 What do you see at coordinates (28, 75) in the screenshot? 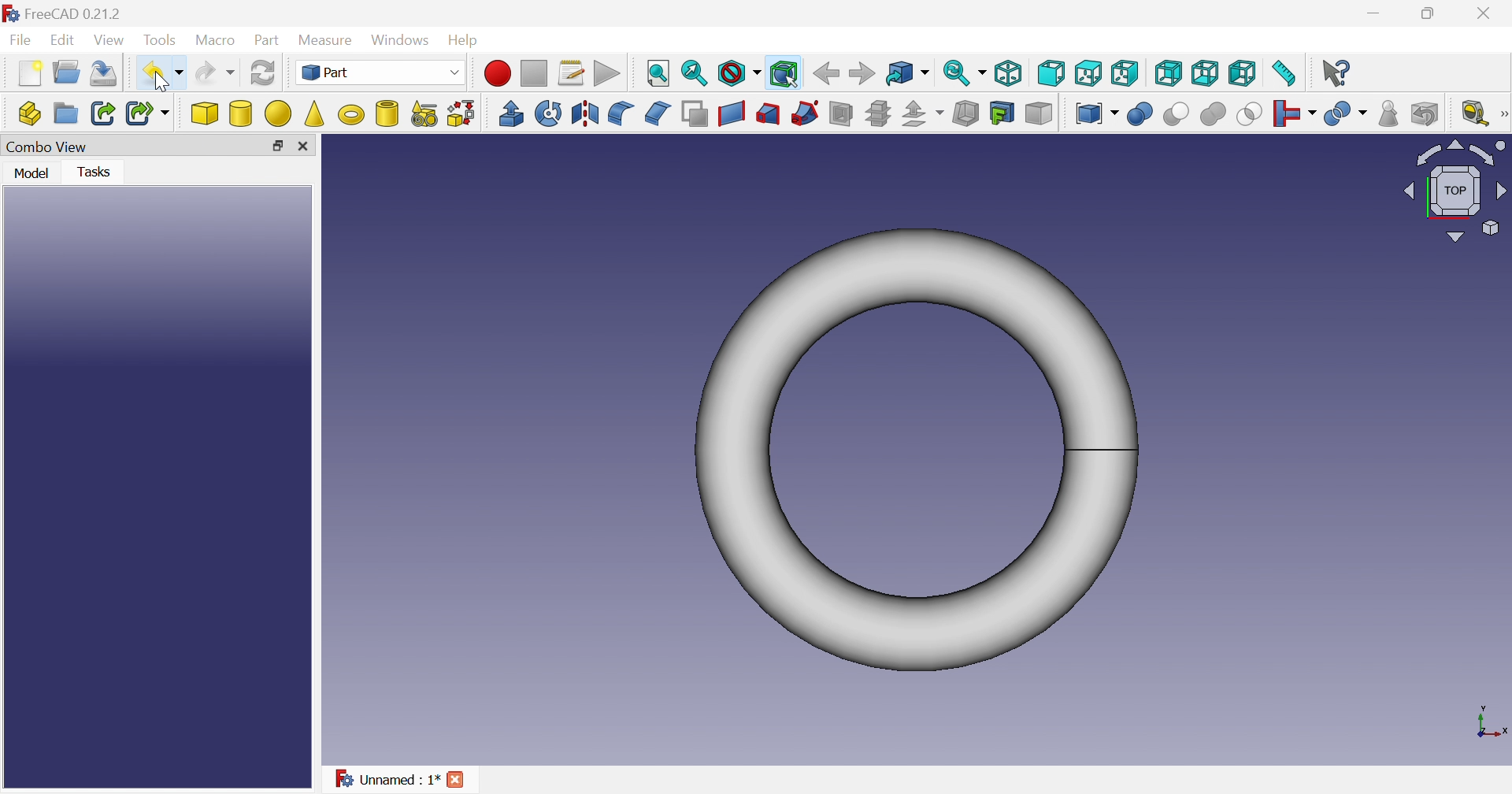
I see `New` at bounding box center [28, 75].